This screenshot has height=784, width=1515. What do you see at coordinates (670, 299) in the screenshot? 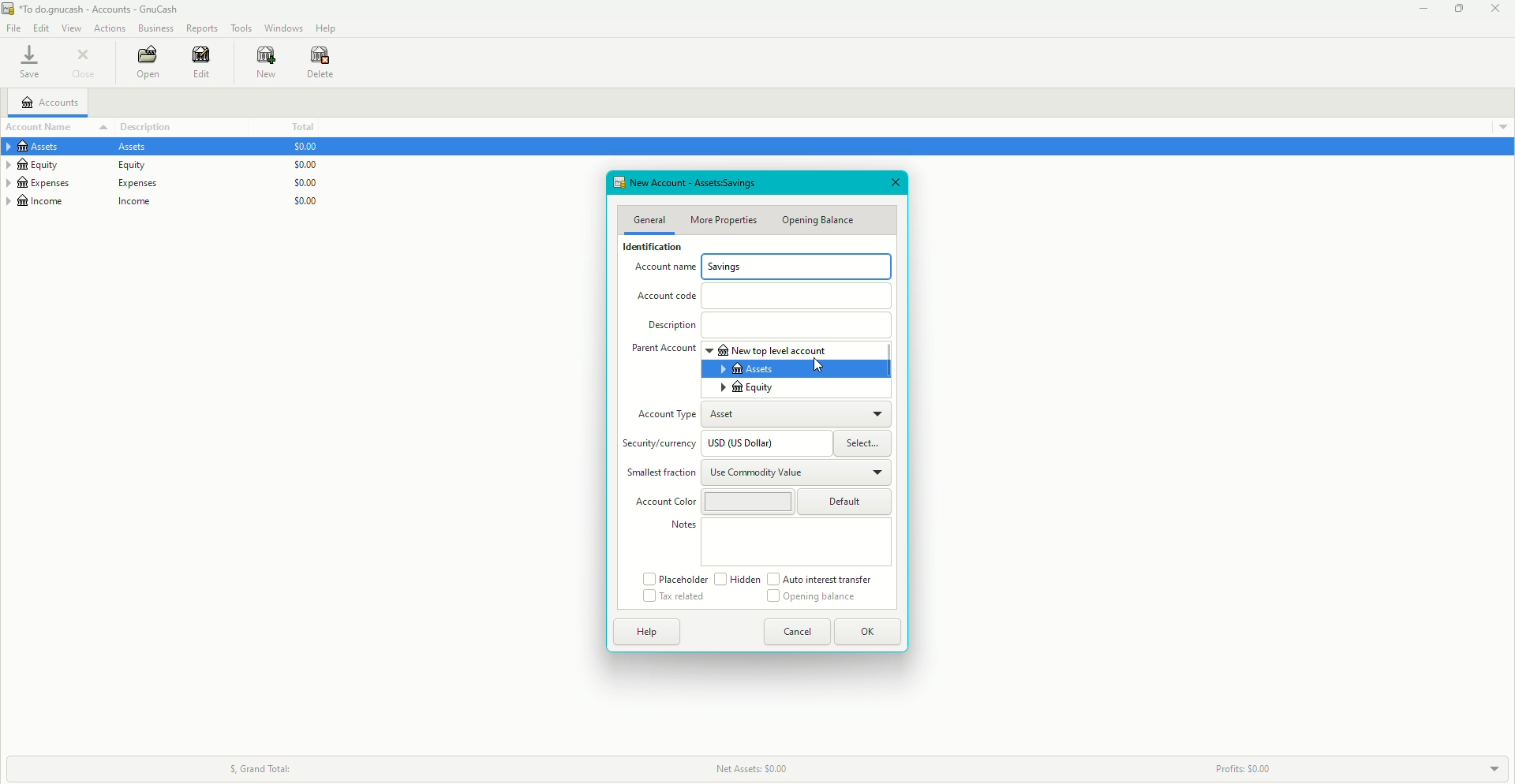
I see `Account code` at bounding box center [670, 299].